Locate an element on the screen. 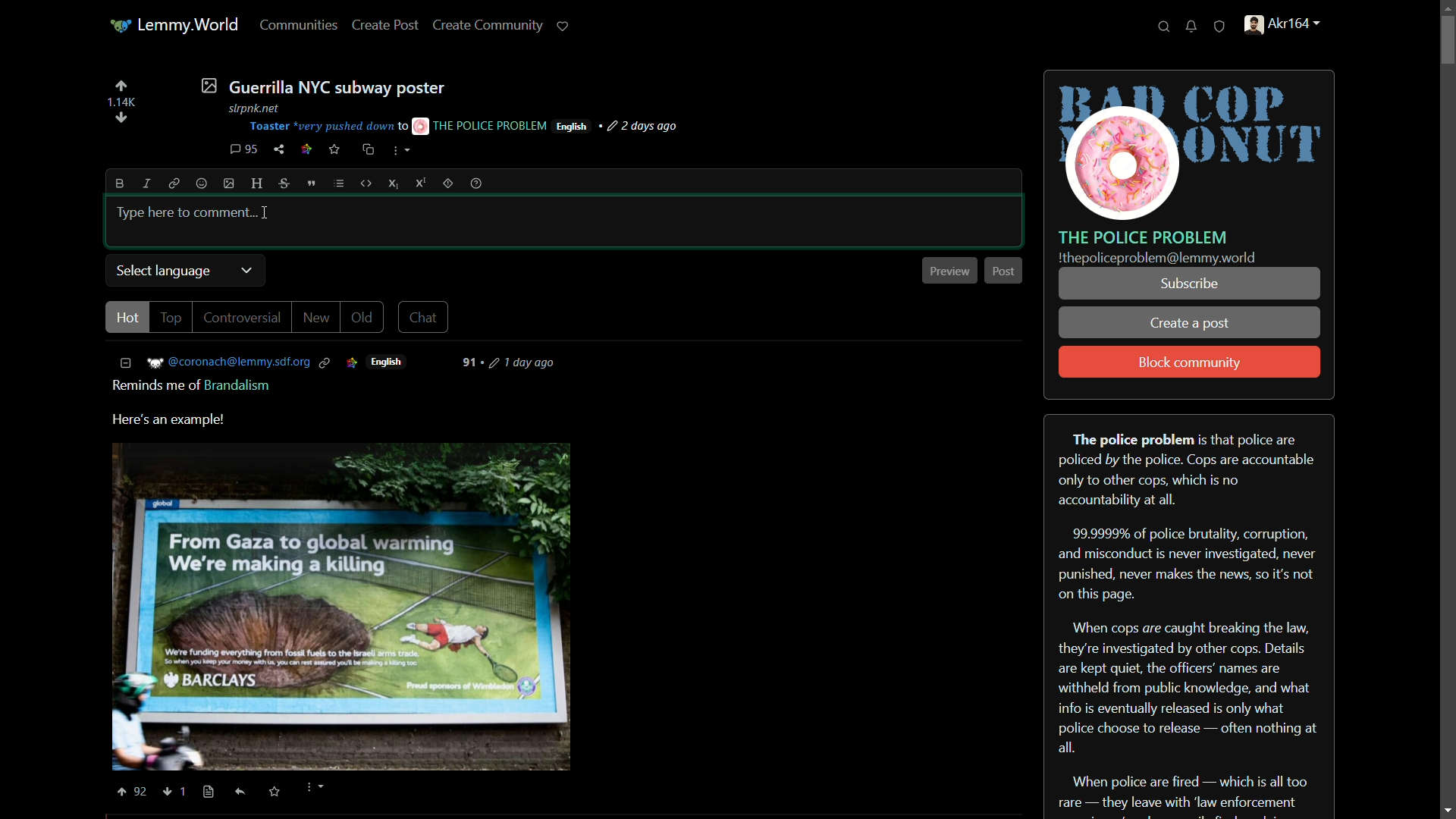 This screenshot has width=1456, height=819. more options is located at coordinates (401, 152).